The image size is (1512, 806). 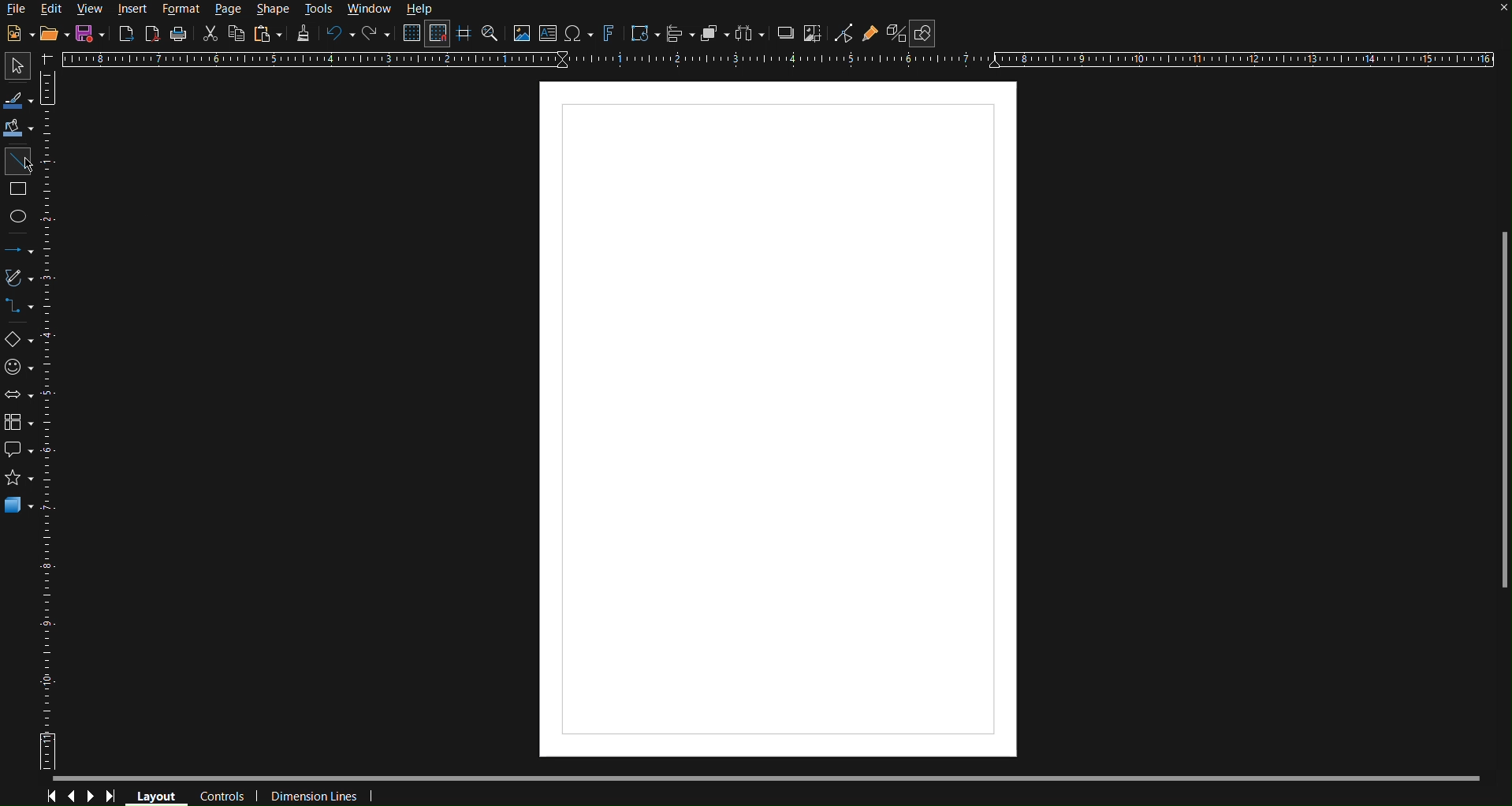 What do you see at coordinates (303, 35) in the screenshot?
I see `Formatting` at bounding box center [303, 35].